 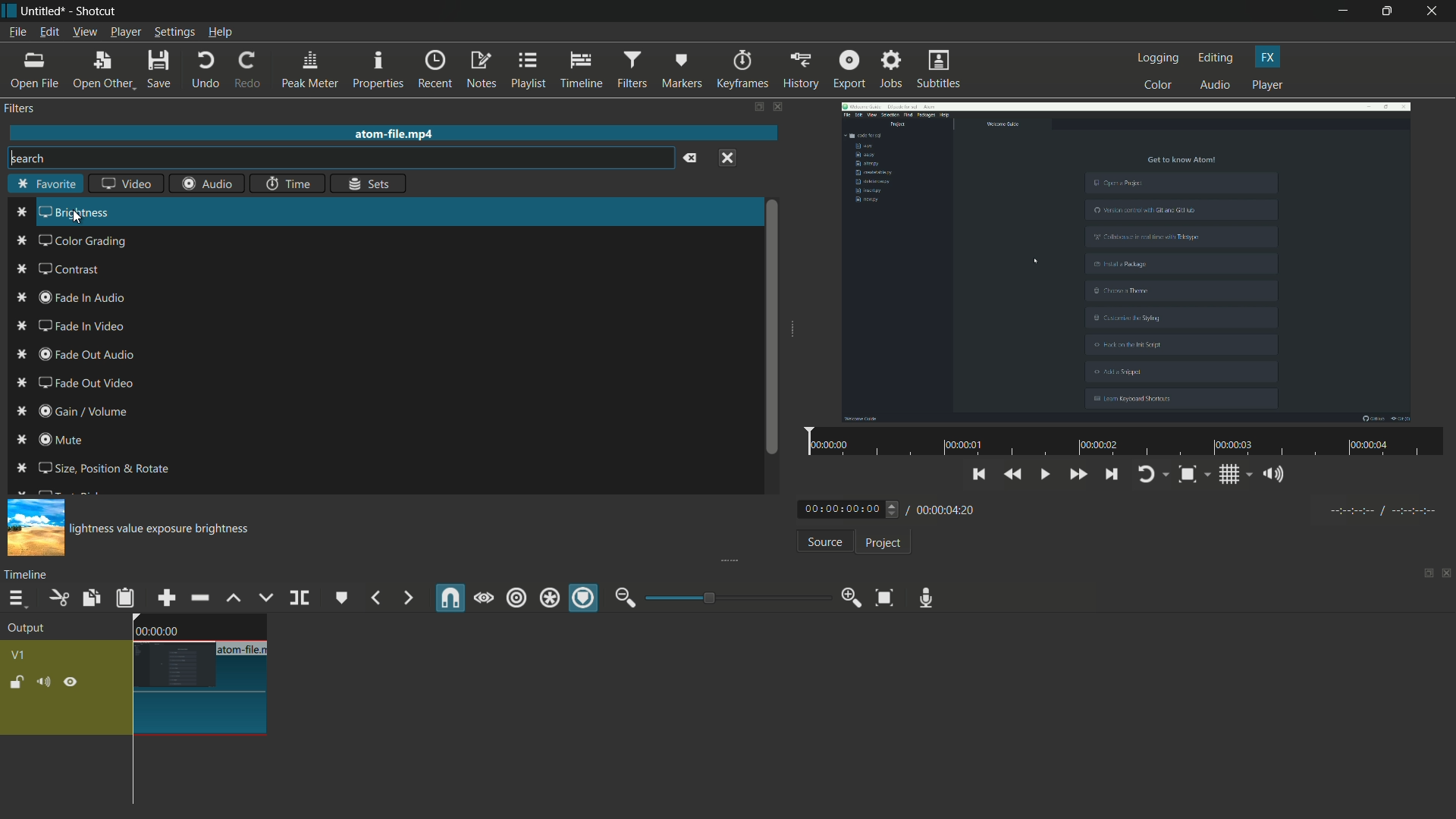 What do you see at coordinates (1079, 476) in the screenshot?
I see `quickly play forward` at bounding box center [1079, 476].